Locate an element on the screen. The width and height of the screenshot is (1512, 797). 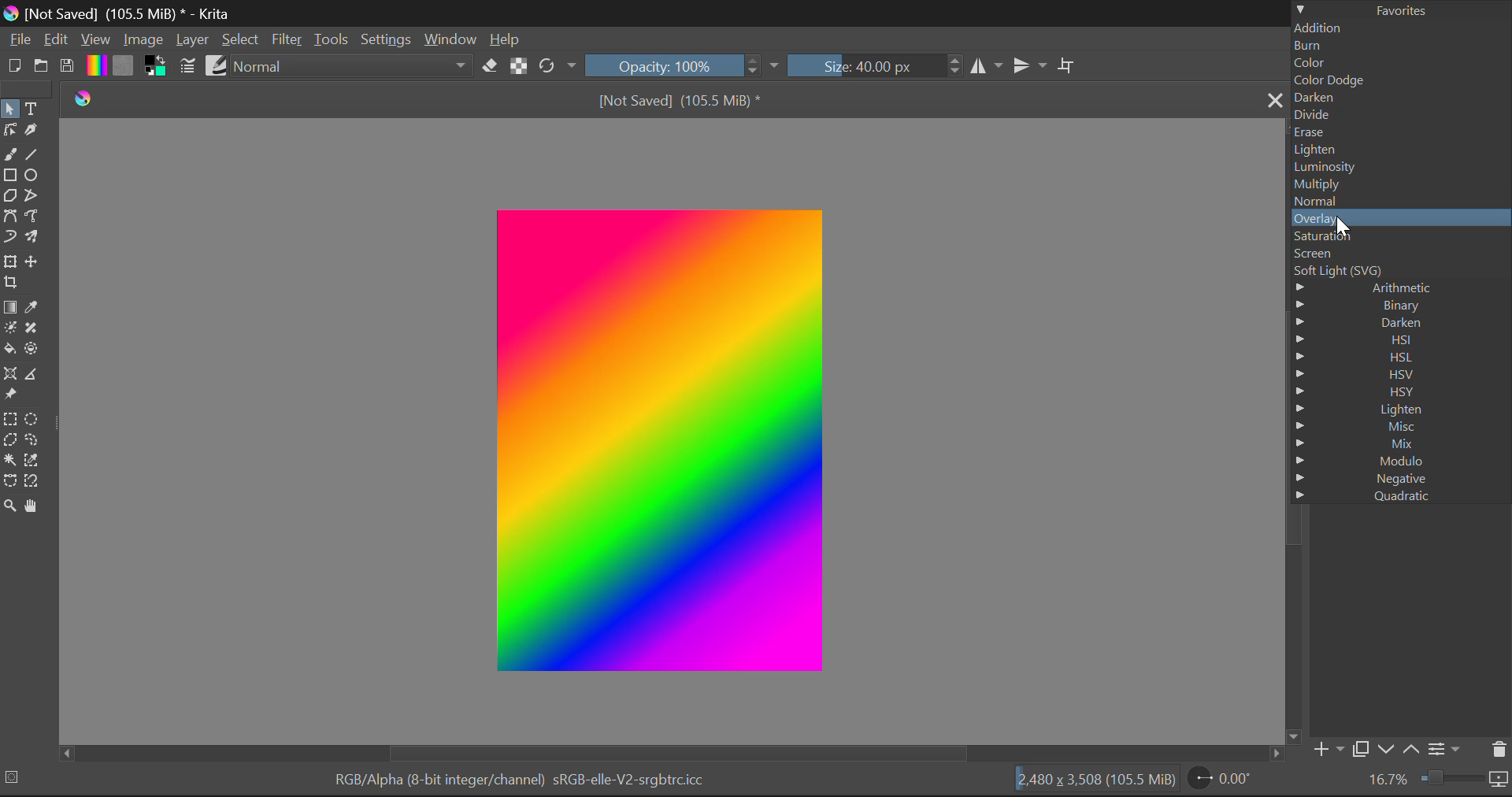
Rectangle is located at coordinates (10, 175).